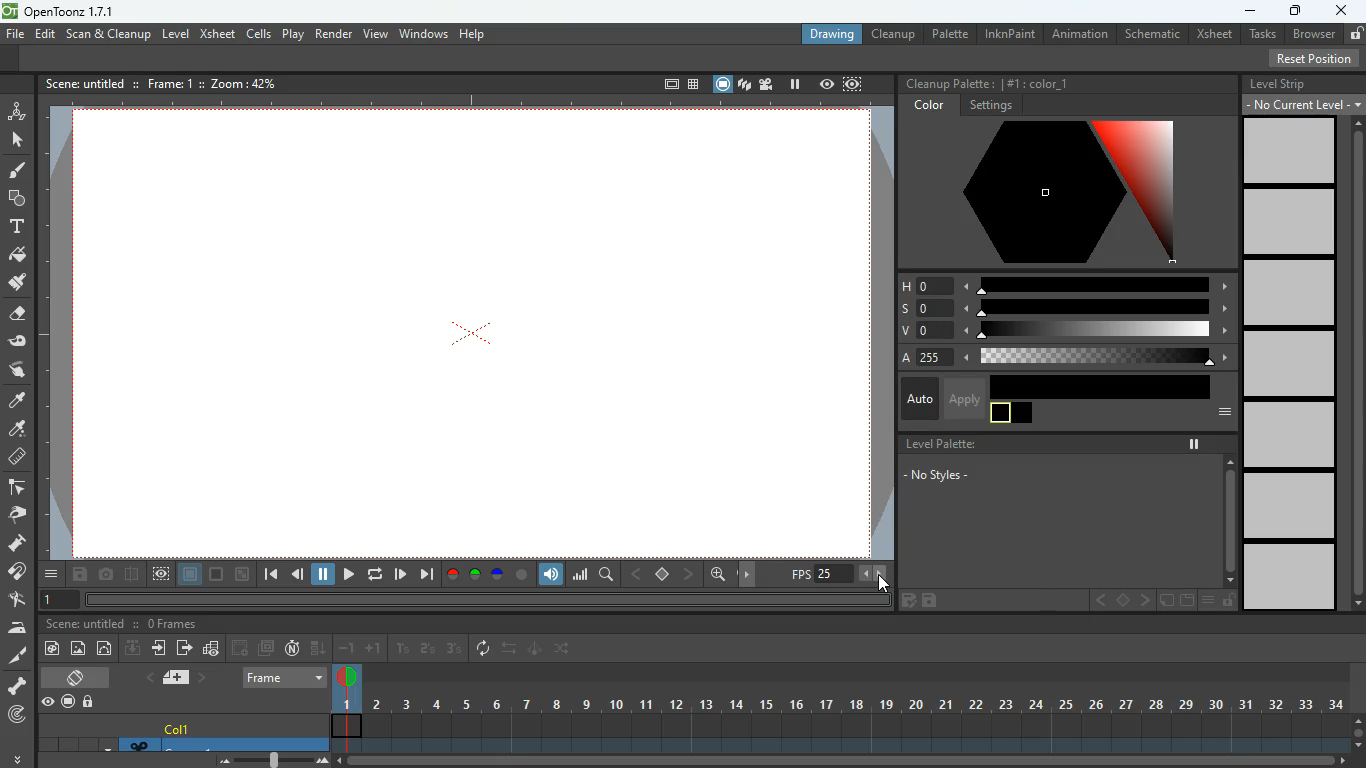  I want to click on scroll bar, so click(844, 760).